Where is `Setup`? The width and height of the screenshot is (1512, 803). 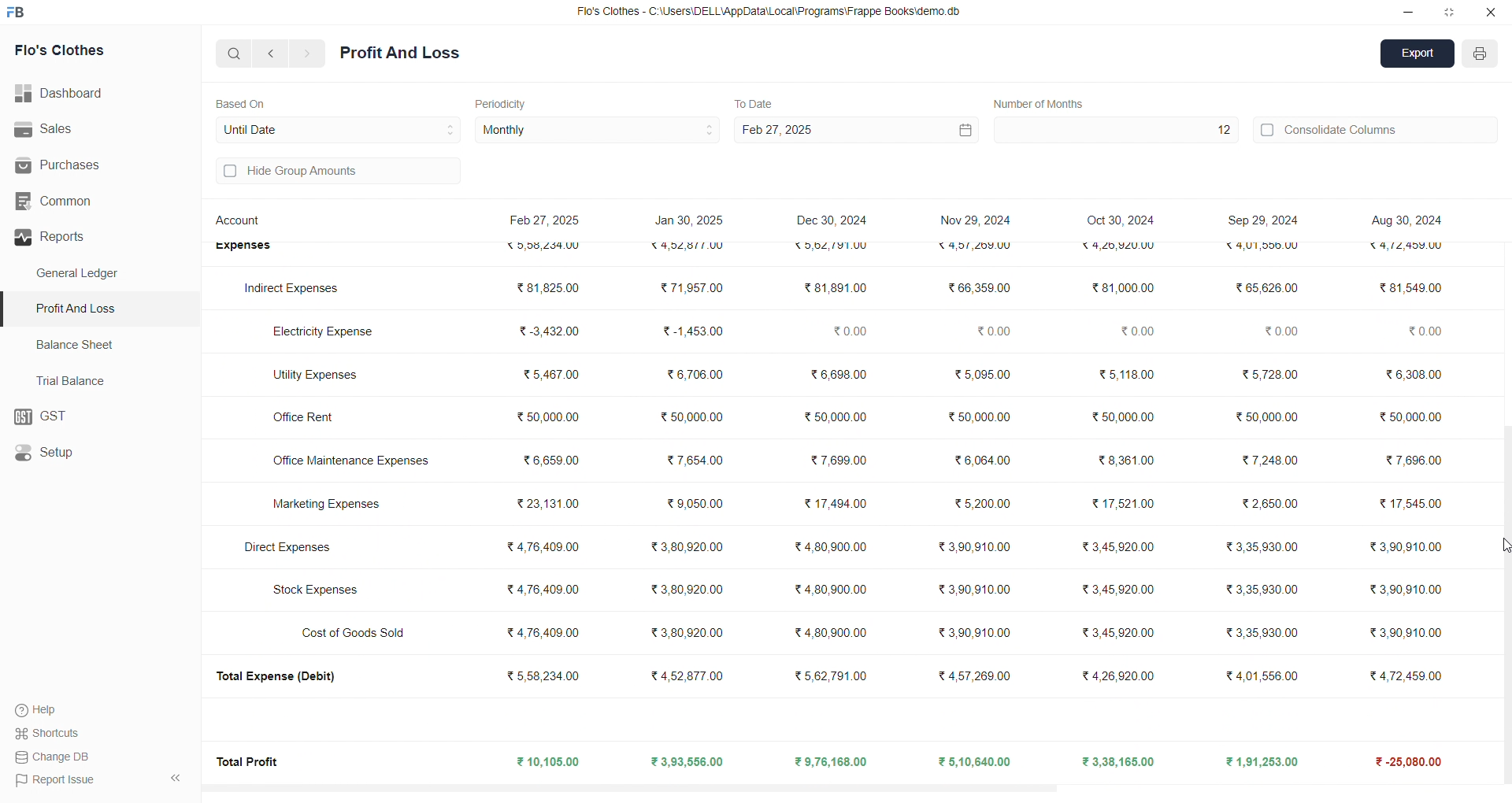
Setup is located at coordinates (91, 453).